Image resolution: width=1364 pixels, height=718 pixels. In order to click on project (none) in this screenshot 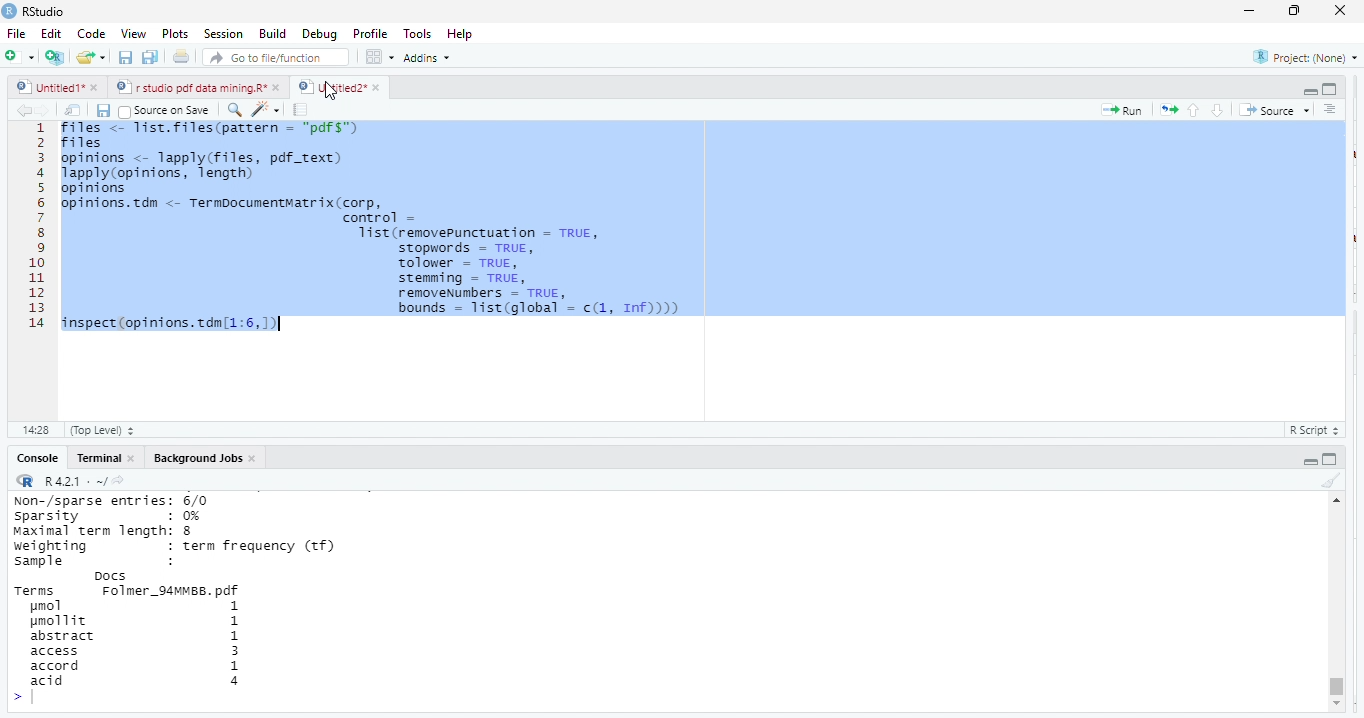, I will do `click(1300, 57)`.